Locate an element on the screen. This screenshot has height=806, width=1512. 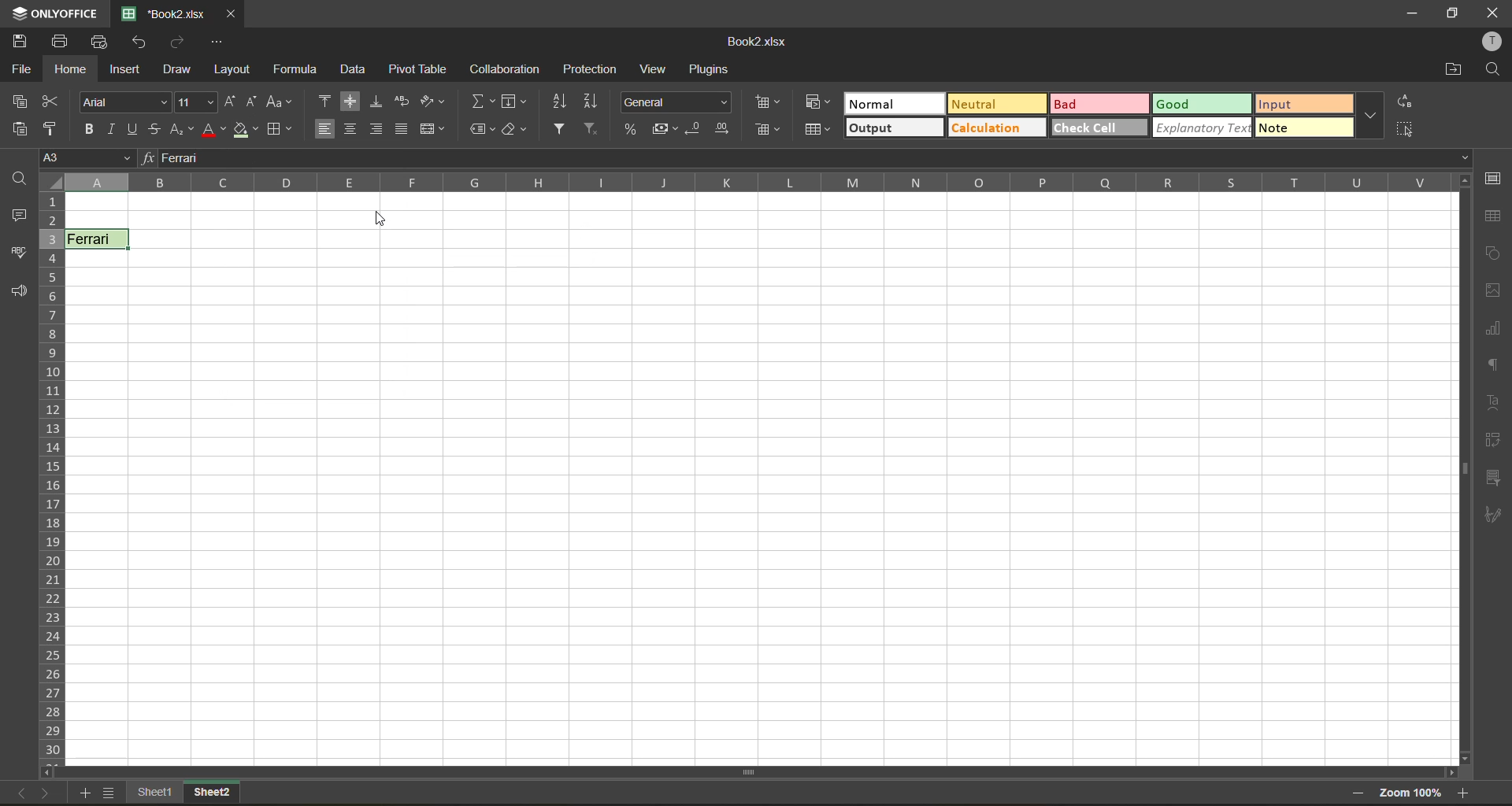
insert is located at coordinates (128, 70).